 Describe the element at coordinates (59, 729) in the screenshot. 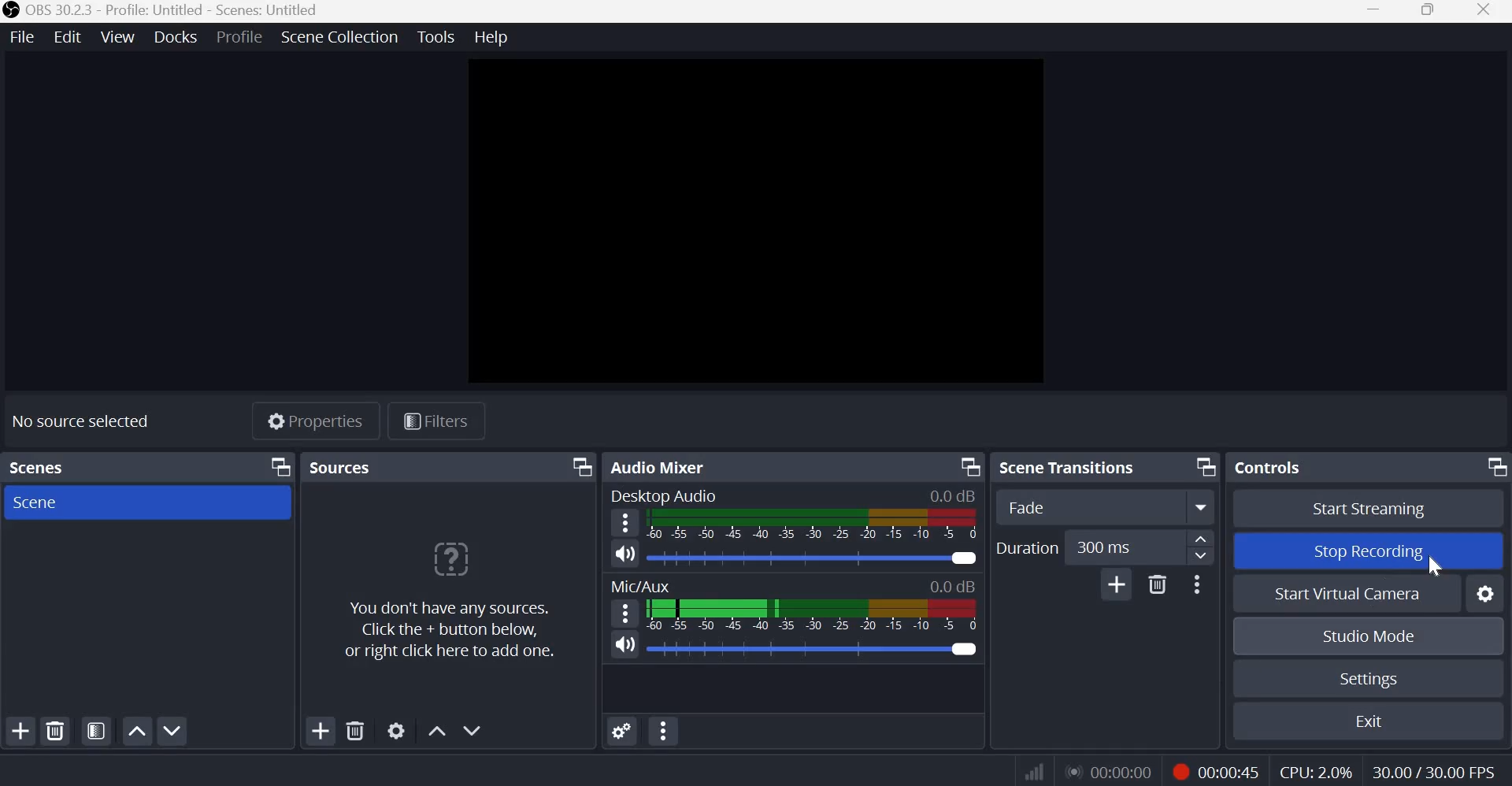

I see `Remove selected scene` at that location.